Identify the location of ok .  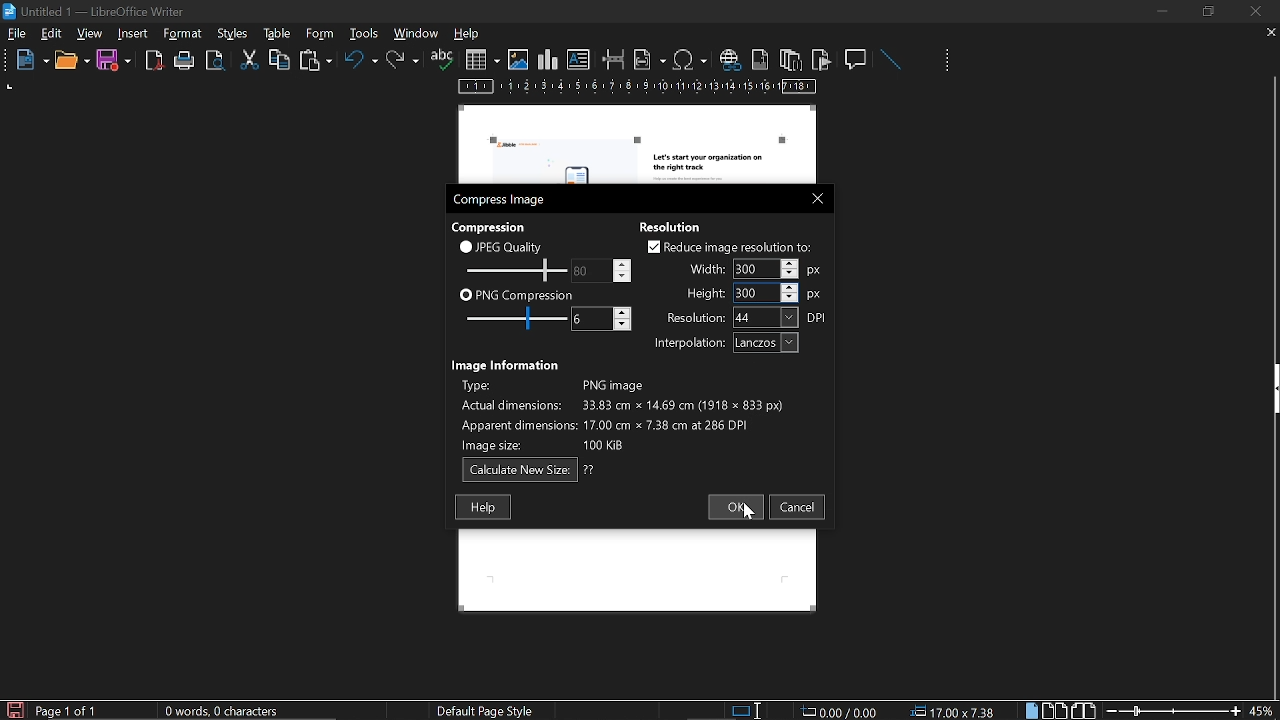
(732, 507).